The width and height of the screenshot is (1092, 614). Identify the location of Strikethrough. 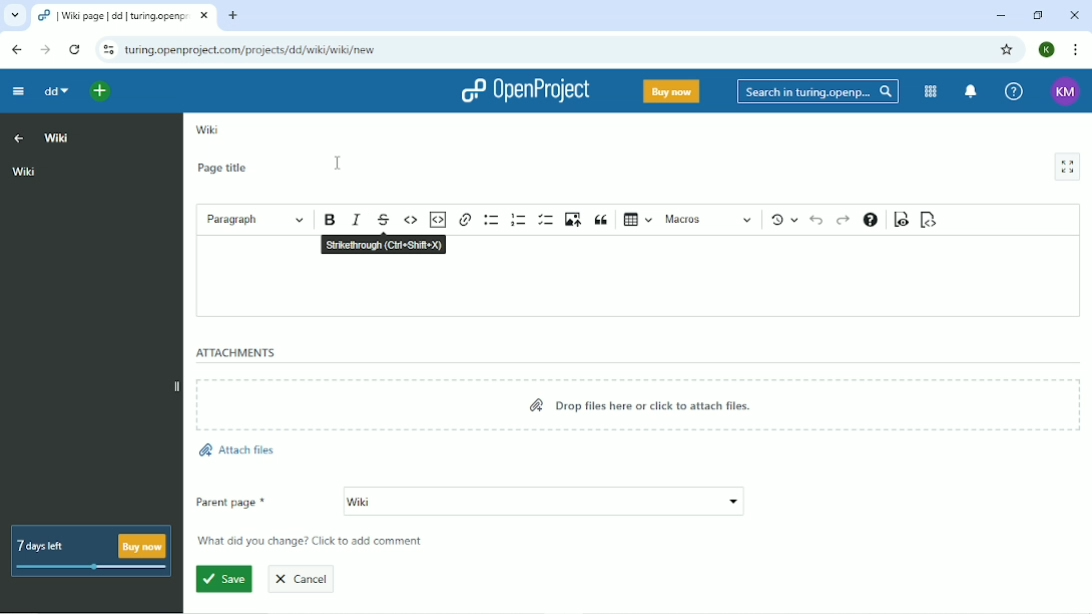
(381, 218).